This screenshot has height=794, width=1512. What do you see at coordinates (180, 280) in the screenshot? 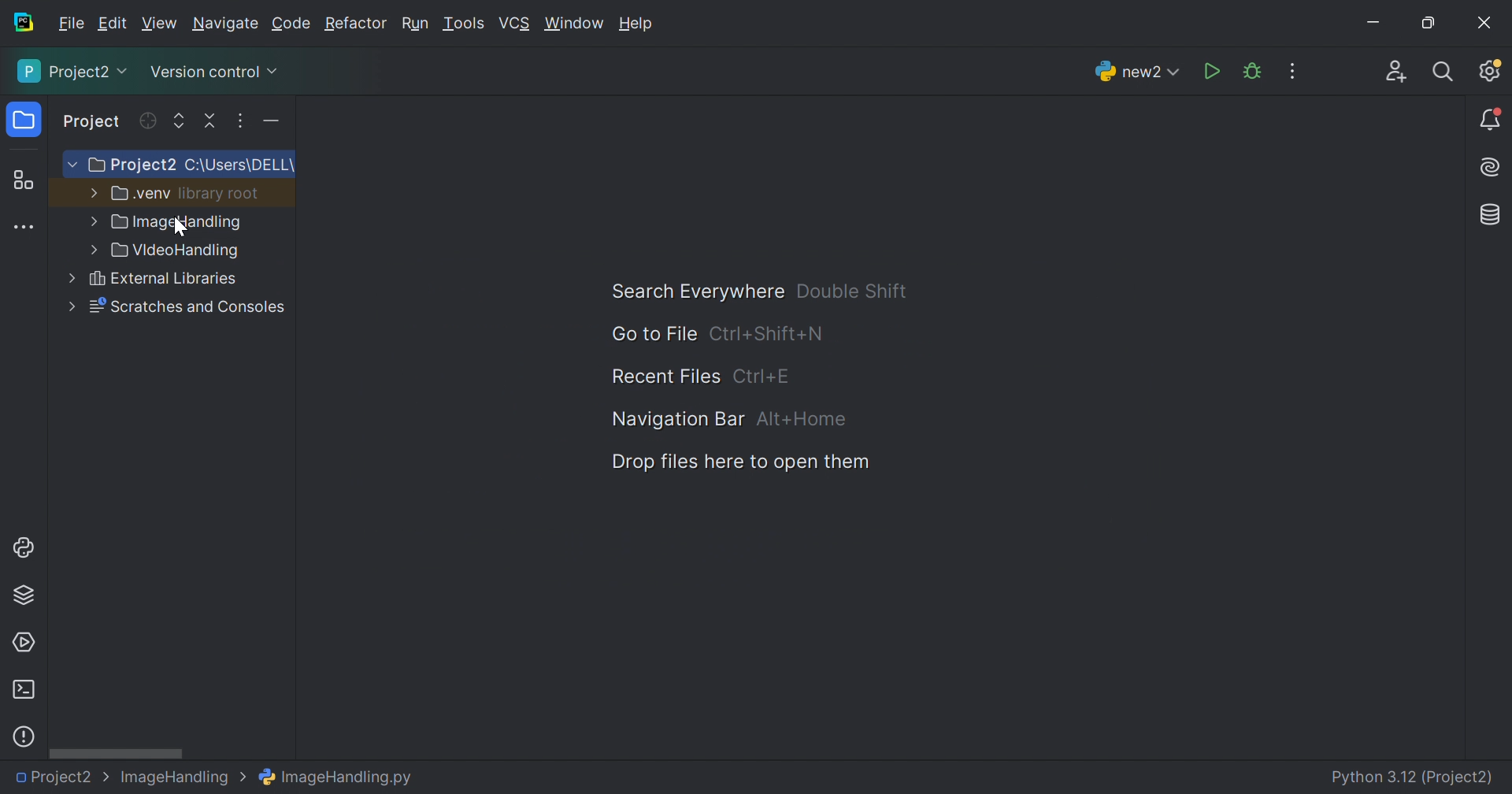
I see `VideiHandling.py` at bounding box center [180, 280].